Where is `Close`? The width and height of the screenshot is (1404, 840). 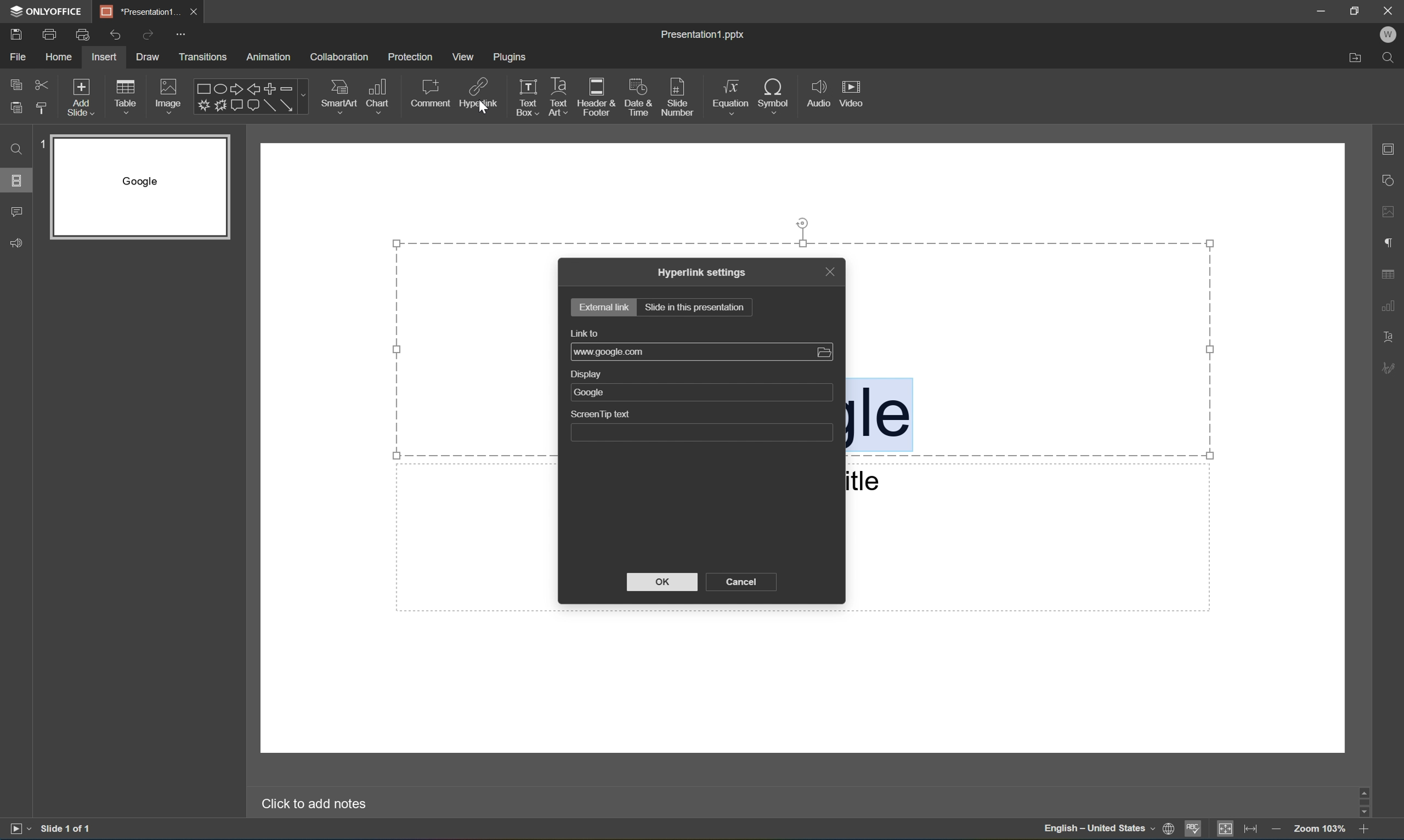 Close is located at coordinates (197, 11).